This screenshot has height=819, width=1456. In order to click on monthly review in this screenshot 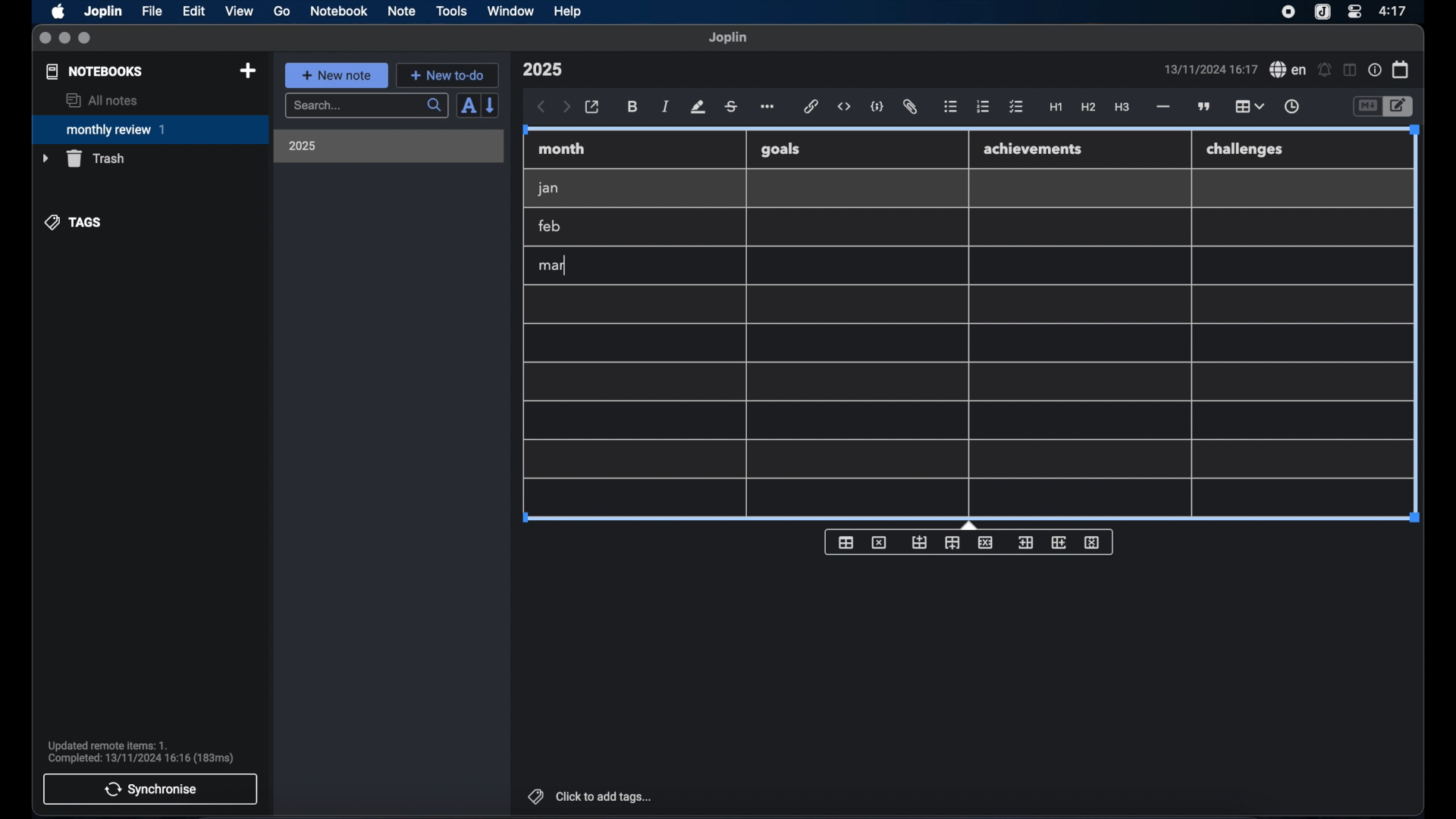, I will do `click(150, 128)`.